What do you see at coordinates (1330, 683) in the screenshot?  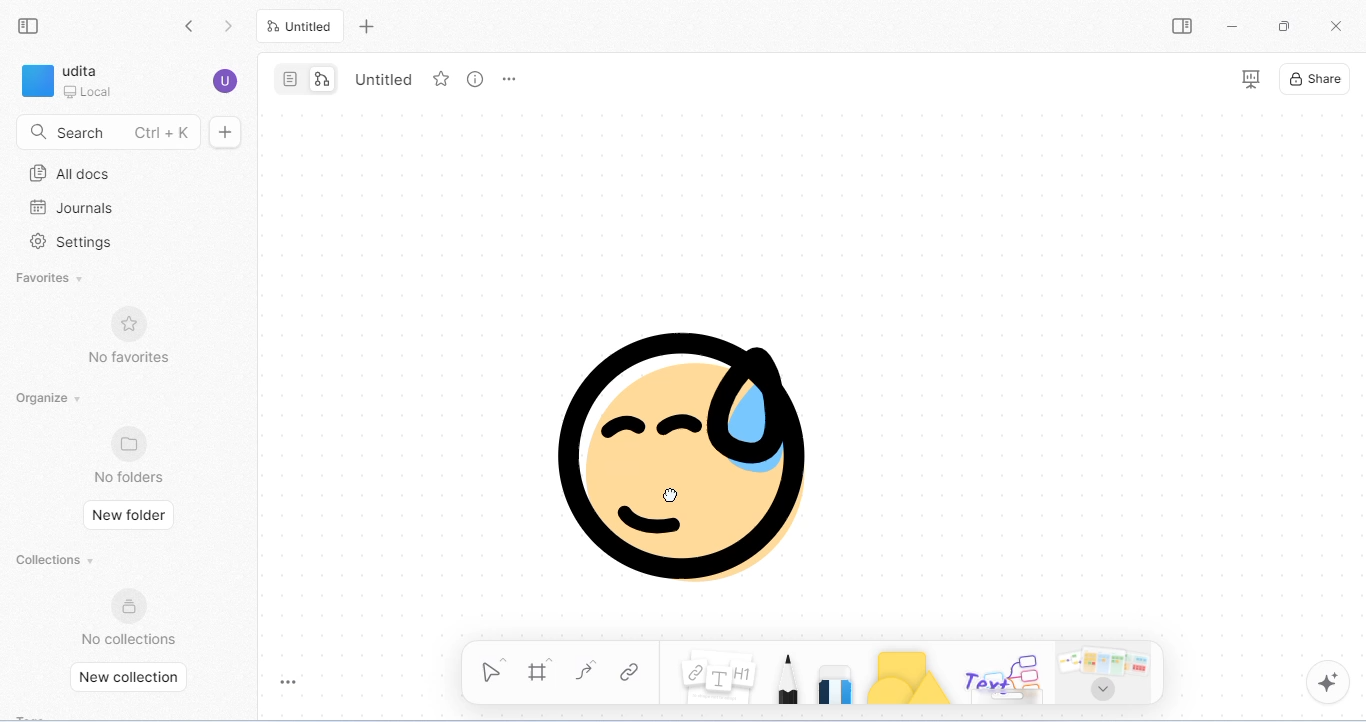 I see `AI assistant` at bounding box center [1330, 683].